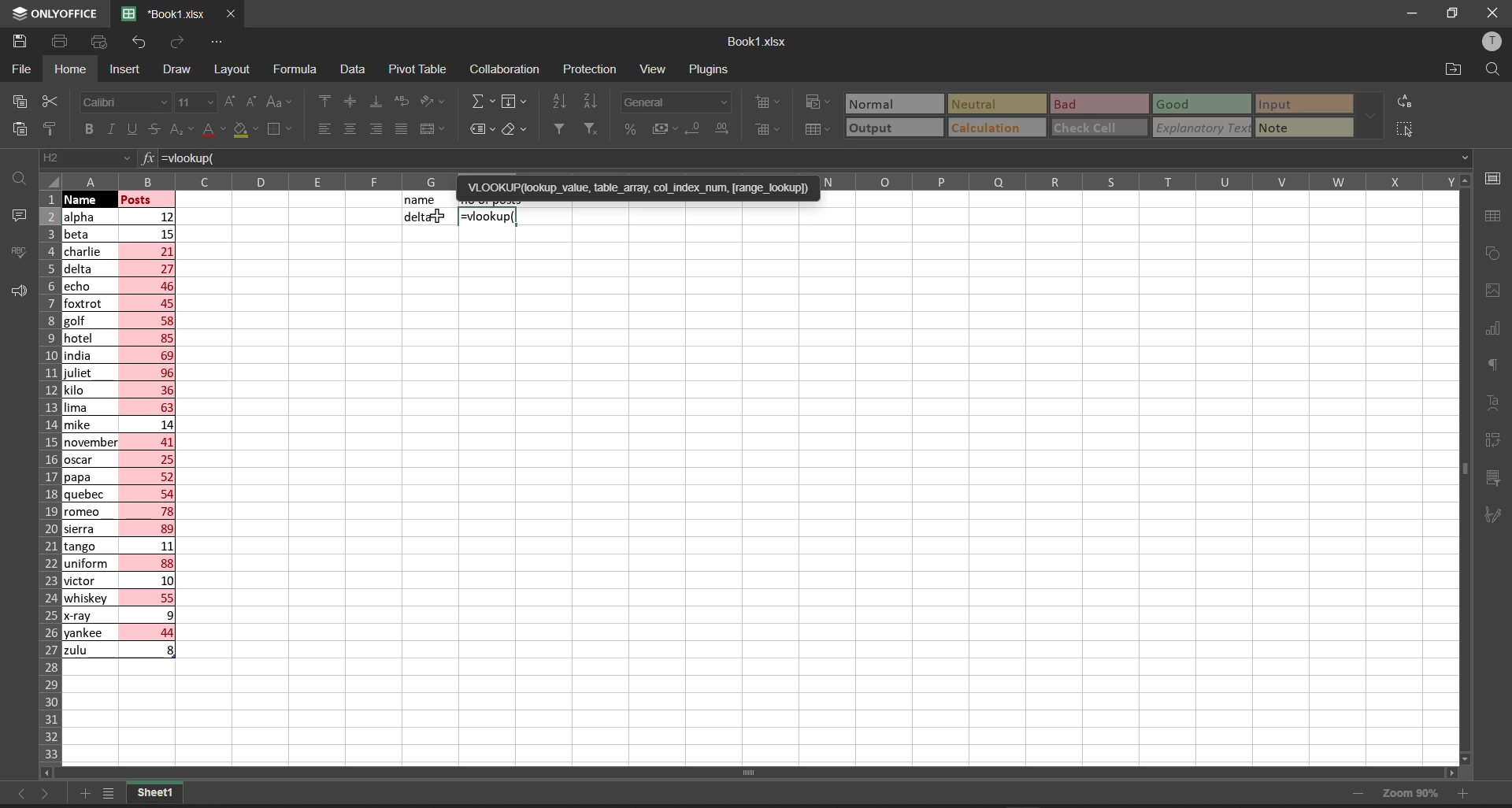  Describe the element at coordinates (881, 103) in the screenshot. I see `Normal` at that location.